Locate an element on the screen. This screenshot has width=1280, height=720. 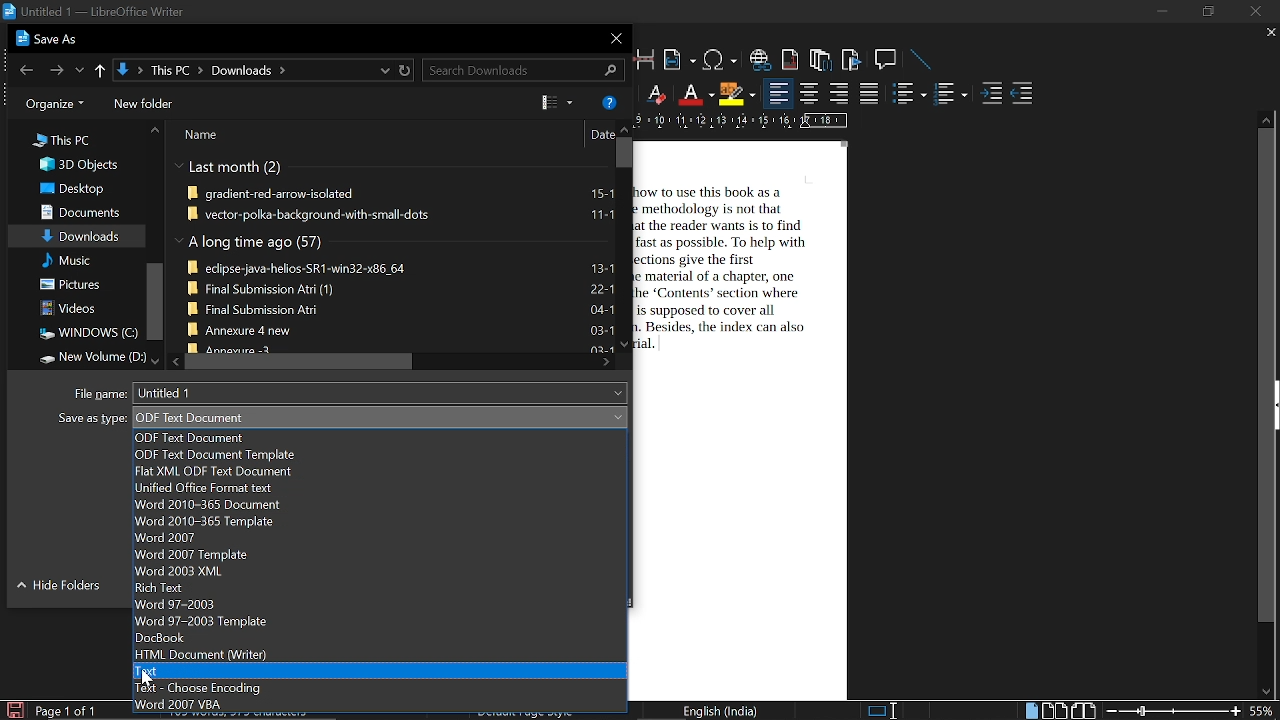
single page view is located at coordinates (1030, 710).